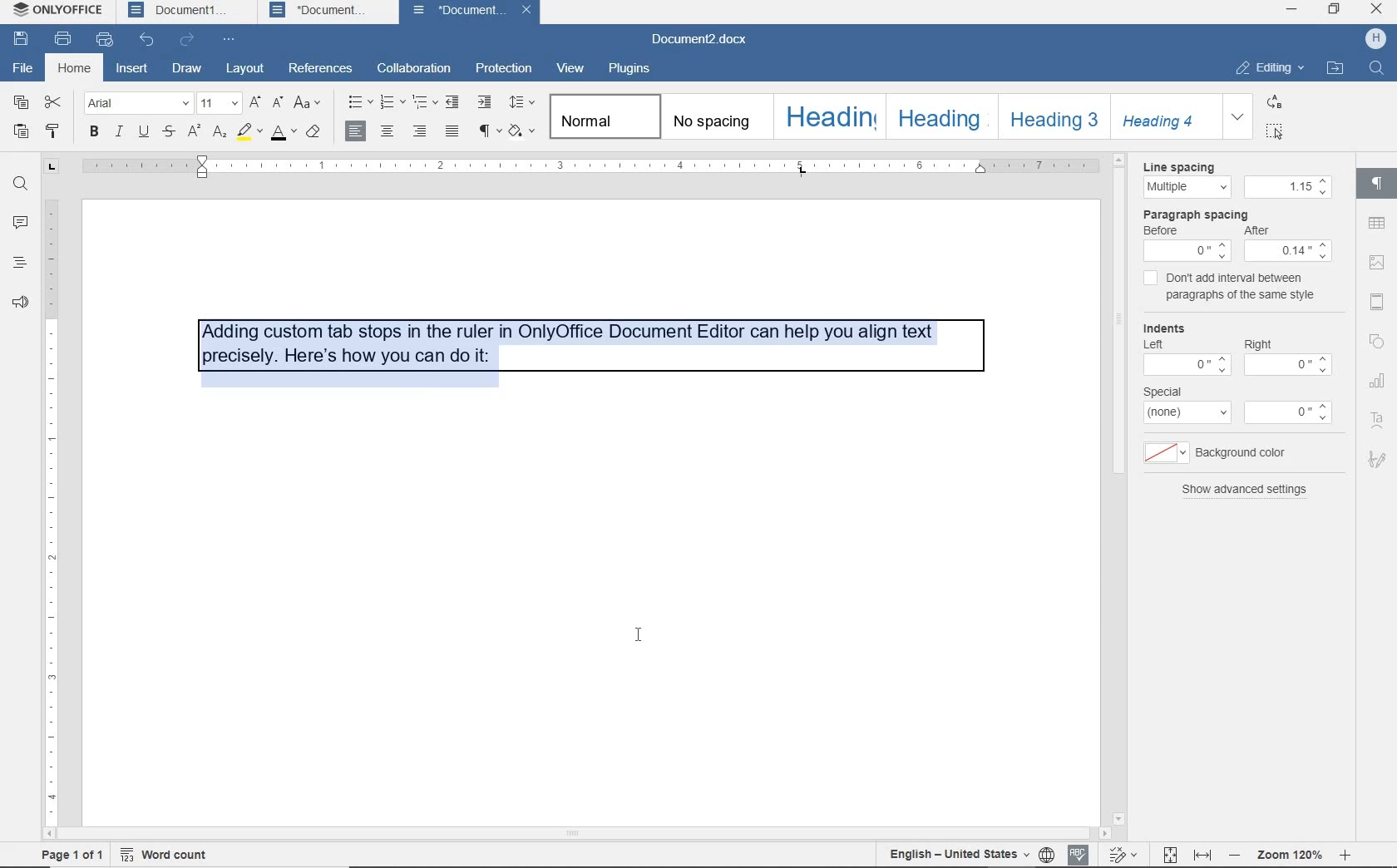  Describe the element at coordinates (321, 68) in the screenshot. I see `references` at that location.